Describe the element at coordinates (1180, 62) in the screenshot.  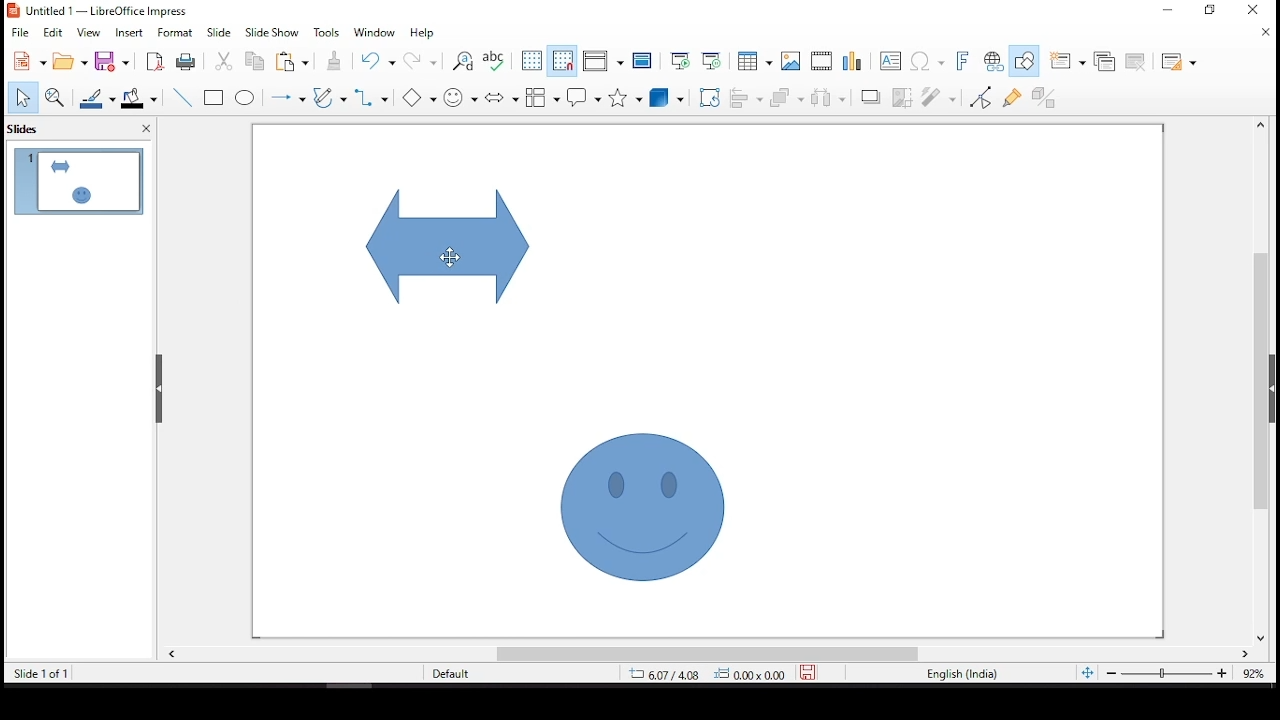
I see `slide layout` at that location.